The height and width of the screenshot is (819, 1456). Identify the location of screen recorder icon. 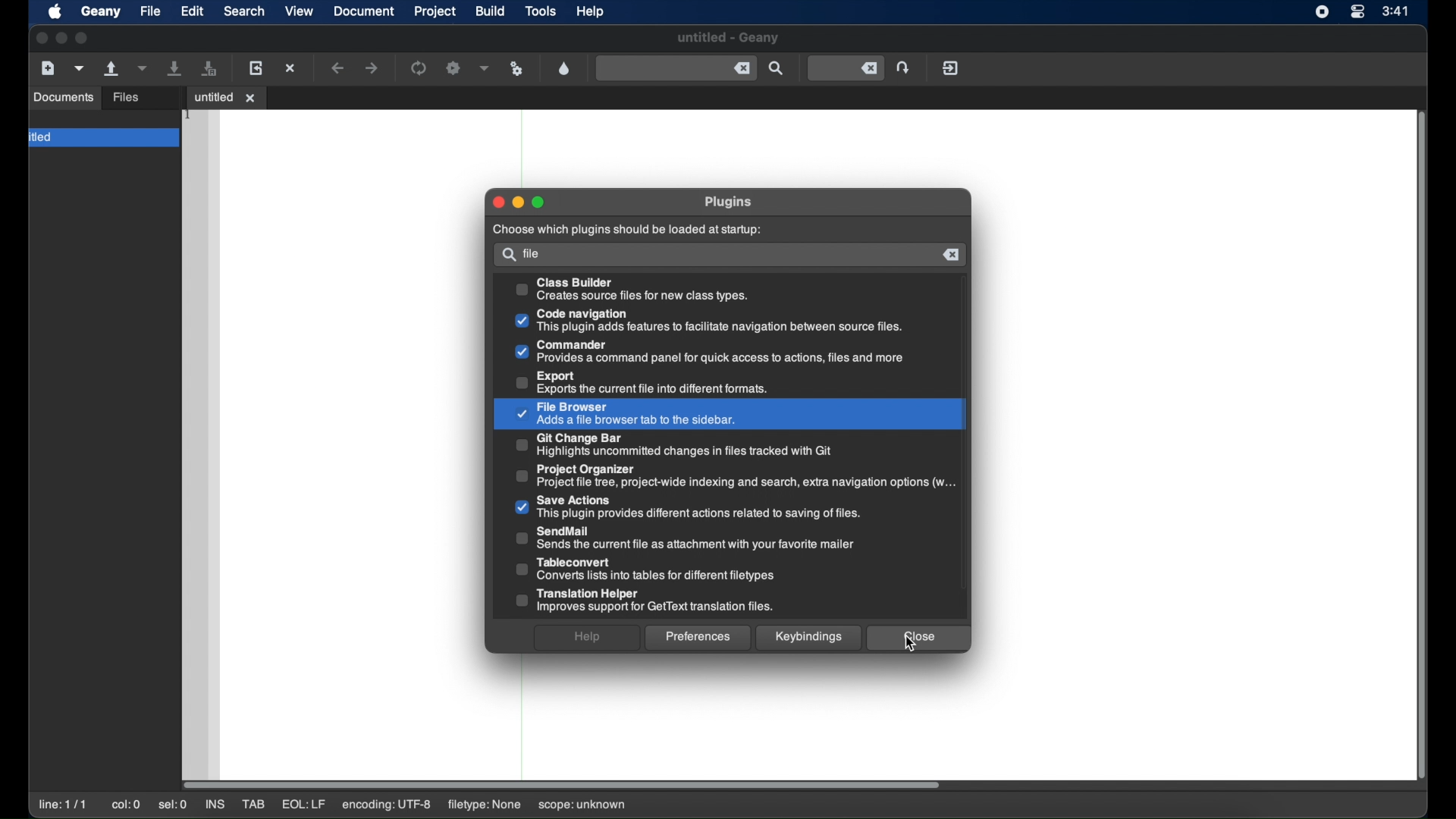
(1322, 12).